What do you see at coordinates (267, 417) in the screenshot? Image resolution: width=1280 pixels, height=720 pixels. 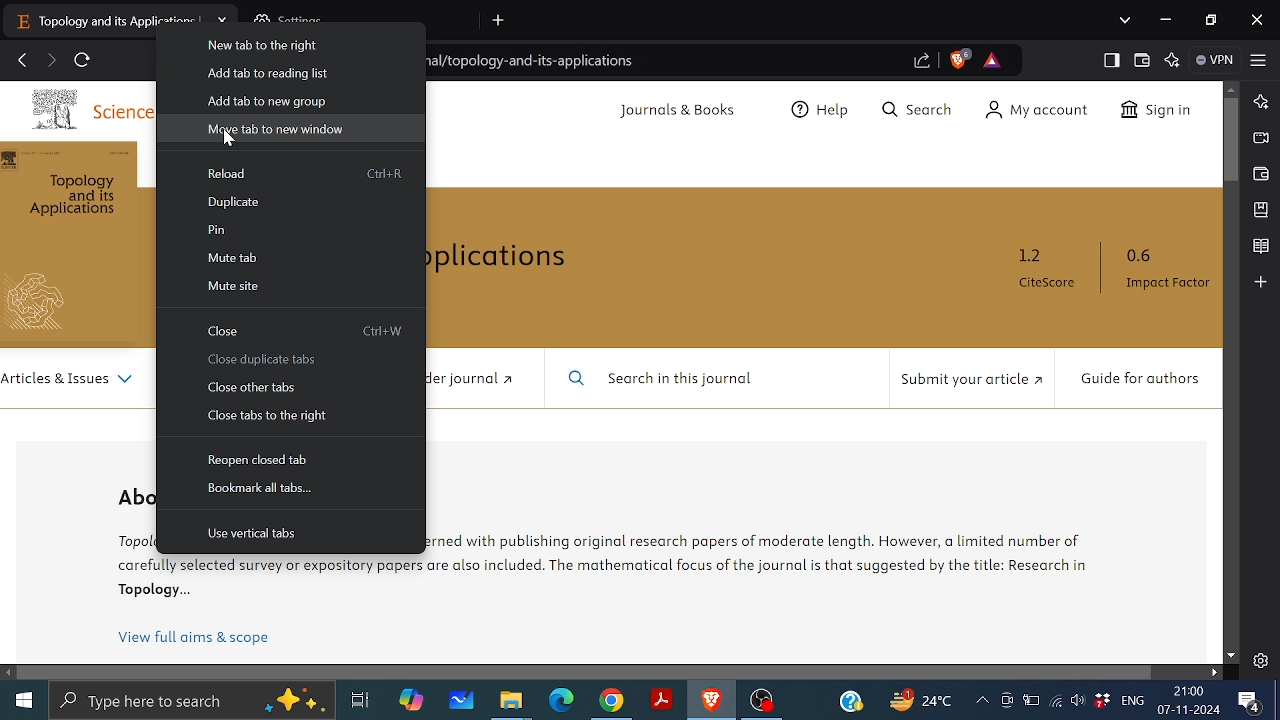 I see `Close tabs to the right` at bounding box center [267, 417].